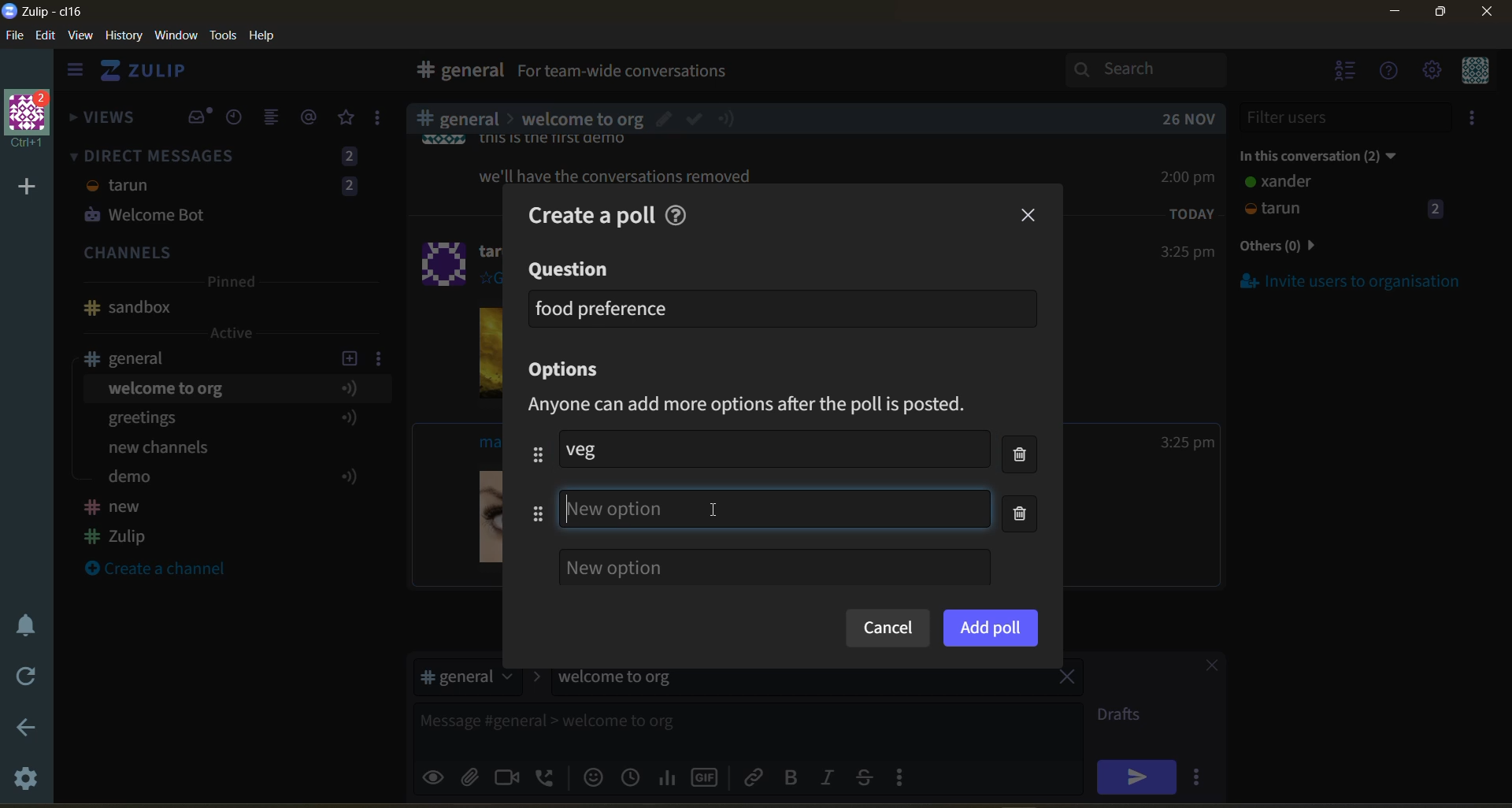 Image resolution: width=1512 pixels, height=808 pixels. I want to click on question, so click(571, 270).